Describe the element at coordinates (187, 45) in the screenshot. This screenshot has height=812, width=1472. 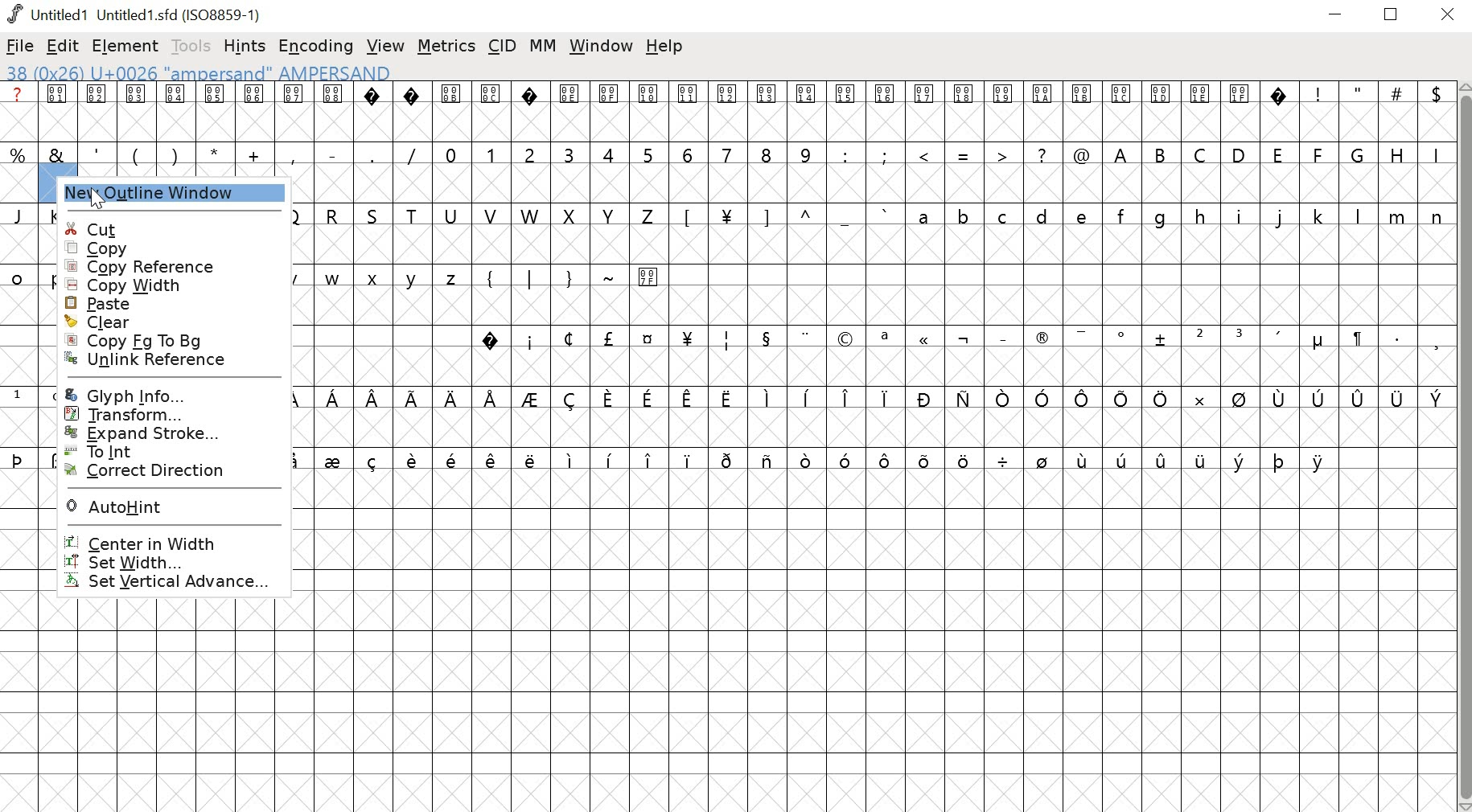
I see `tools` at that location.